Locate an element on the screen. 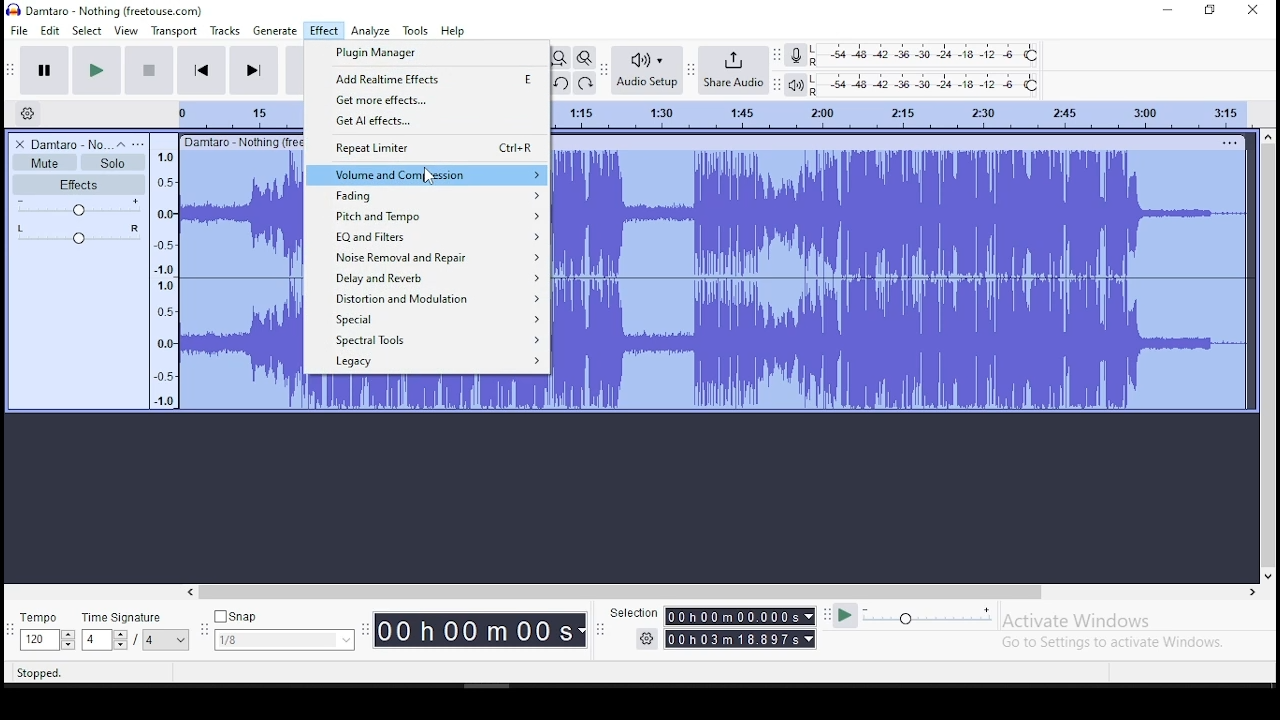 Image resolution: width=1280 pixels, height=720 pixels. minimize is located at coordinates (1164, 9).